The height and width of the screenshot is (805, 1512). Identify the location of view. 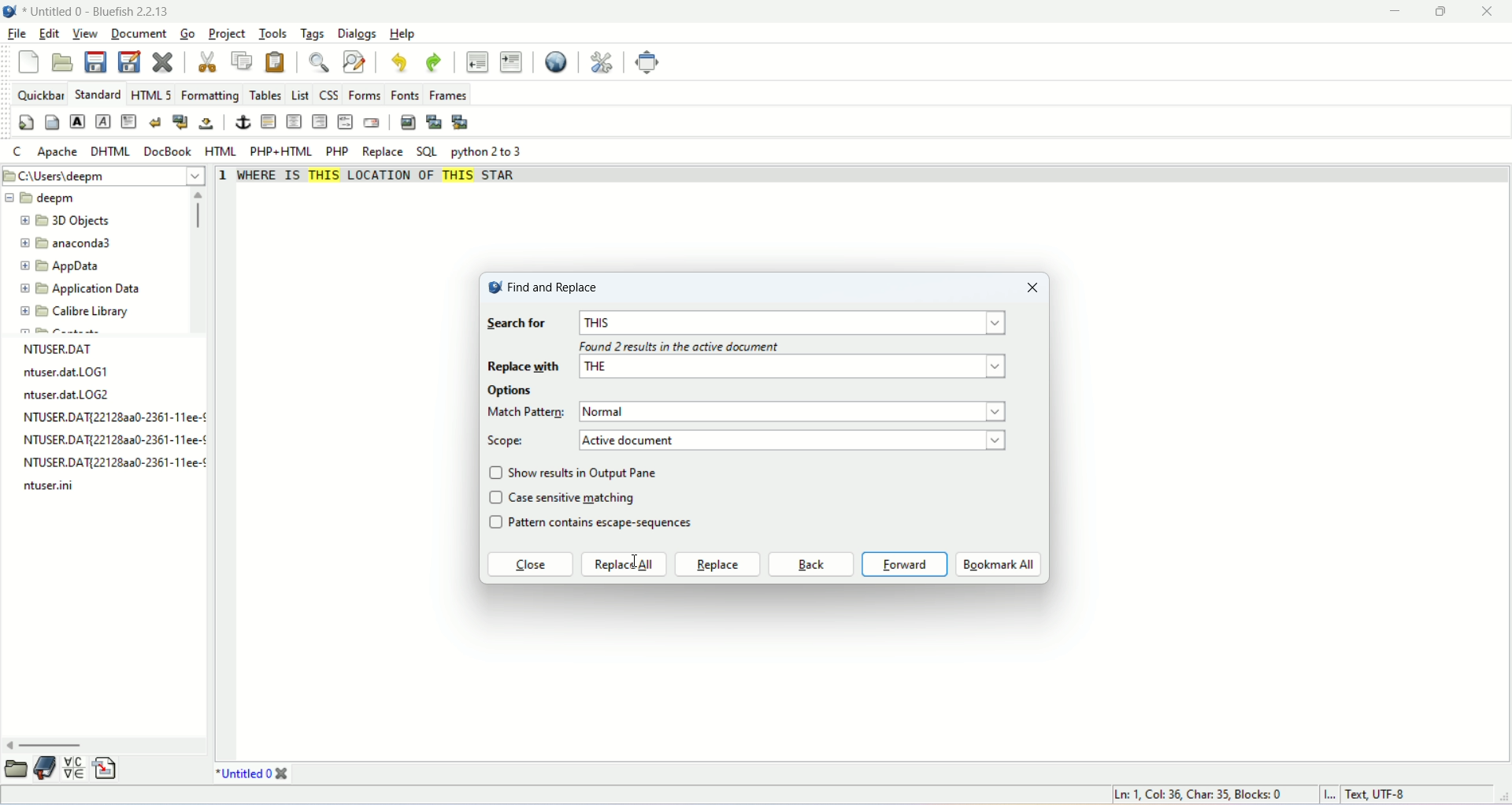
(83, 33).